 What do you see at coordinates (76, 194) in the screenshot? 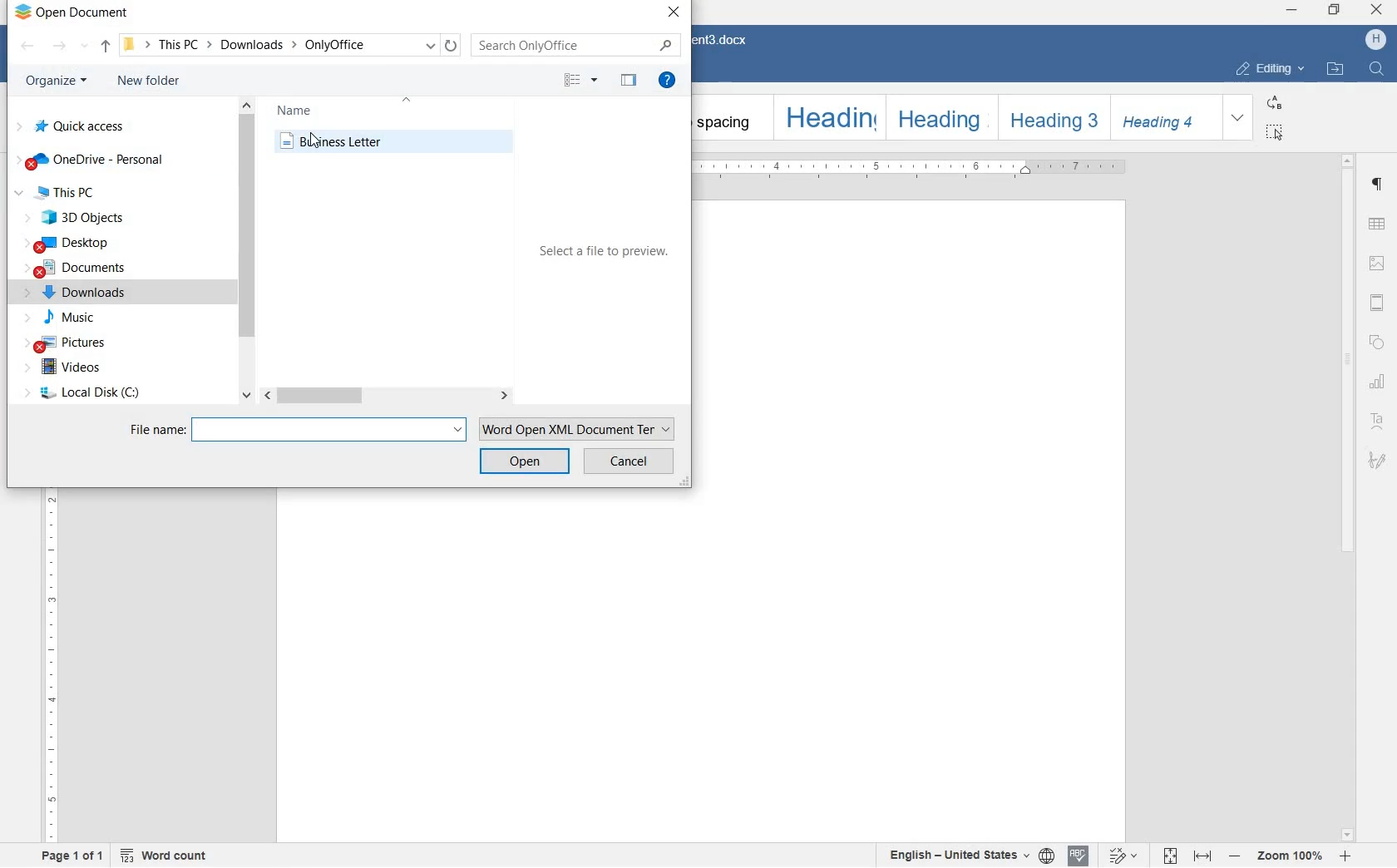
I see `this pc` at bounding box center [76, 194].